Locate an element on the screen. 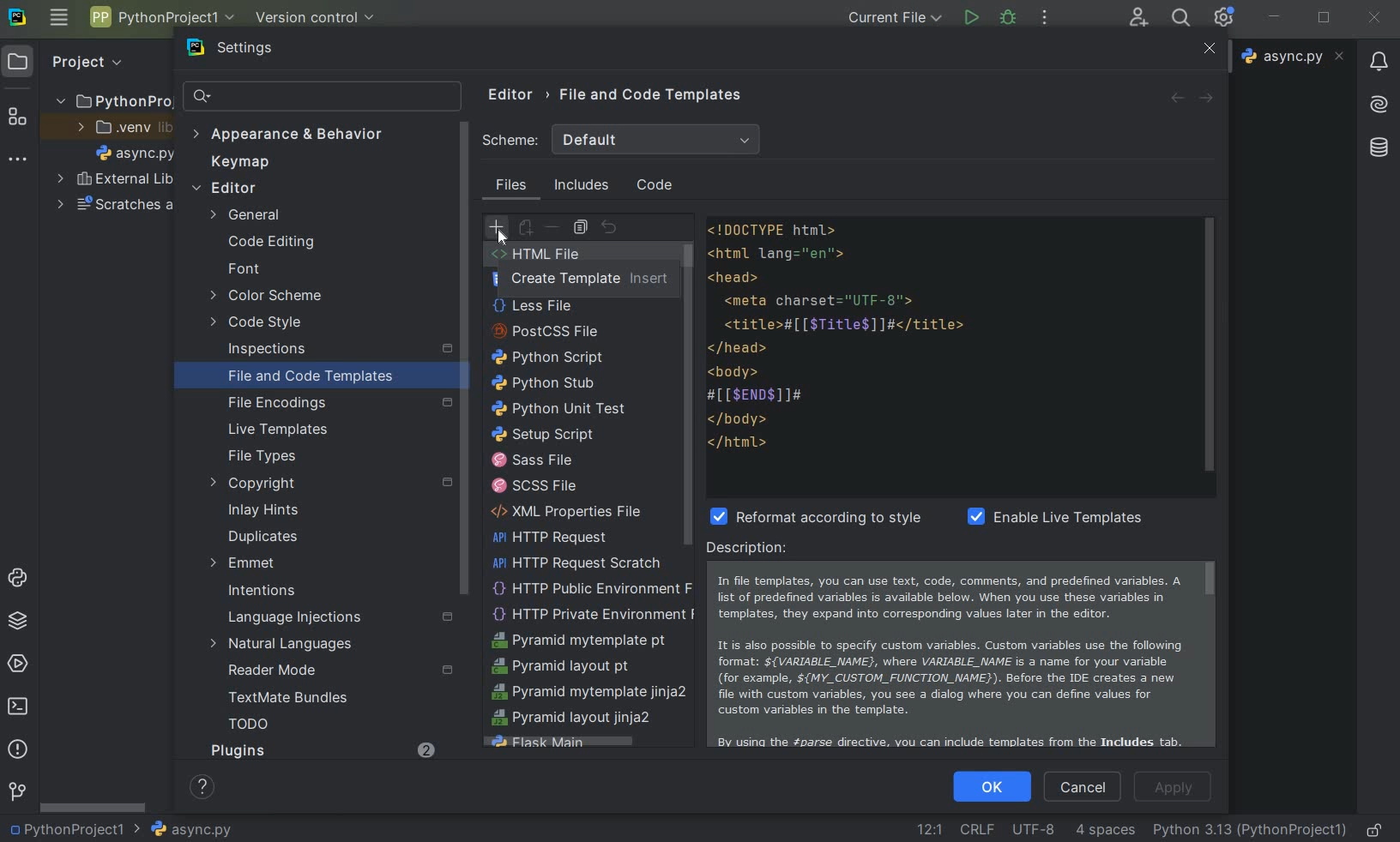 Image resolution: width=1400 pixels, height=842 pixels. includes is located at coordinates (582, 186).